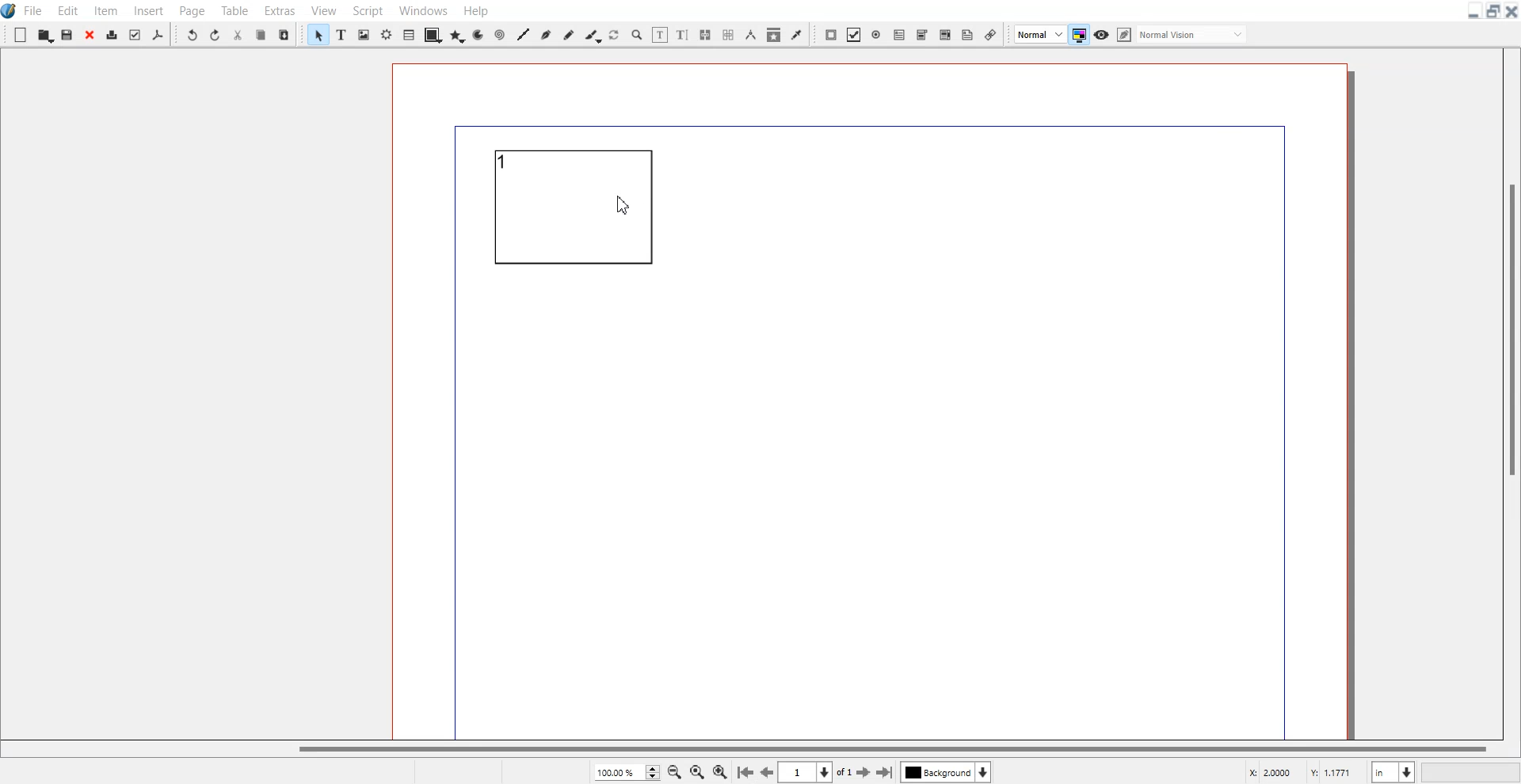  Describe the element at coordinates (191, 33) in the screenshot. I see `Undo` at that location.